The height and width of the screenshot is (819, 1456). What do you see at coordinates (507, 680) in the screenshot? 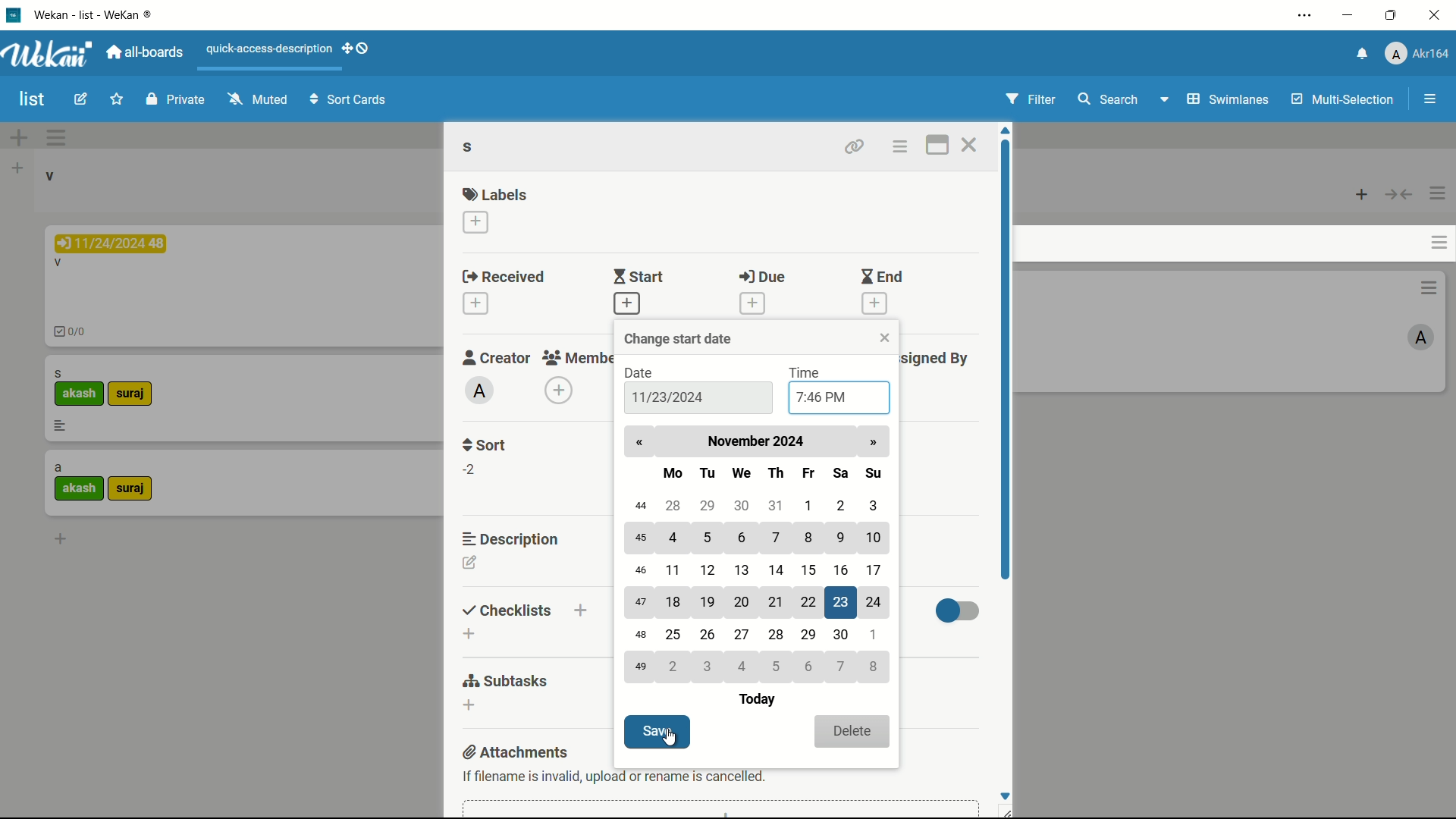
I see `subtasks` at bounding box center [507, 680].